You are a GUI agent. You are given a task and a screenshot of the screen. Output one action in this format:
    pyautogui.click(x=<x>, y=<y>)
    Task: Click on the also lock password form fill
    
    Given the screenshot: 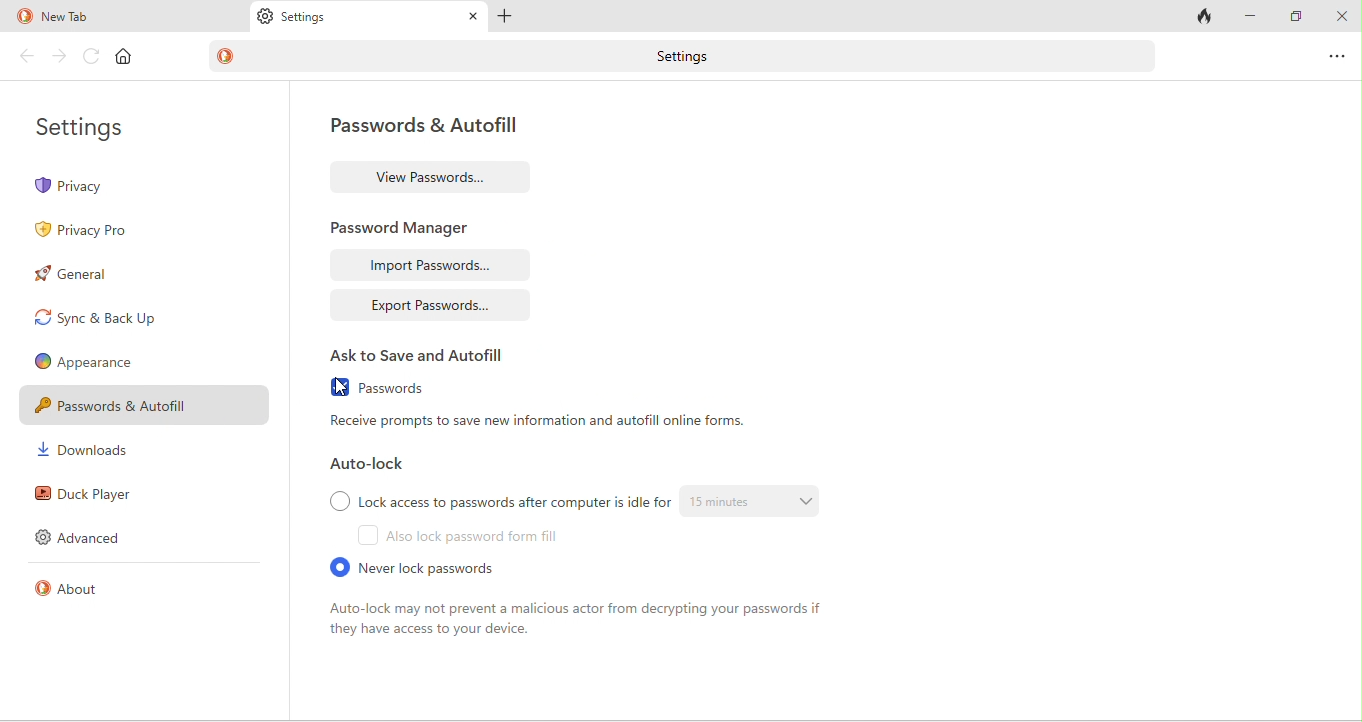 What is the action you would take?
    pyautogui.click(x=468, y=537)
    